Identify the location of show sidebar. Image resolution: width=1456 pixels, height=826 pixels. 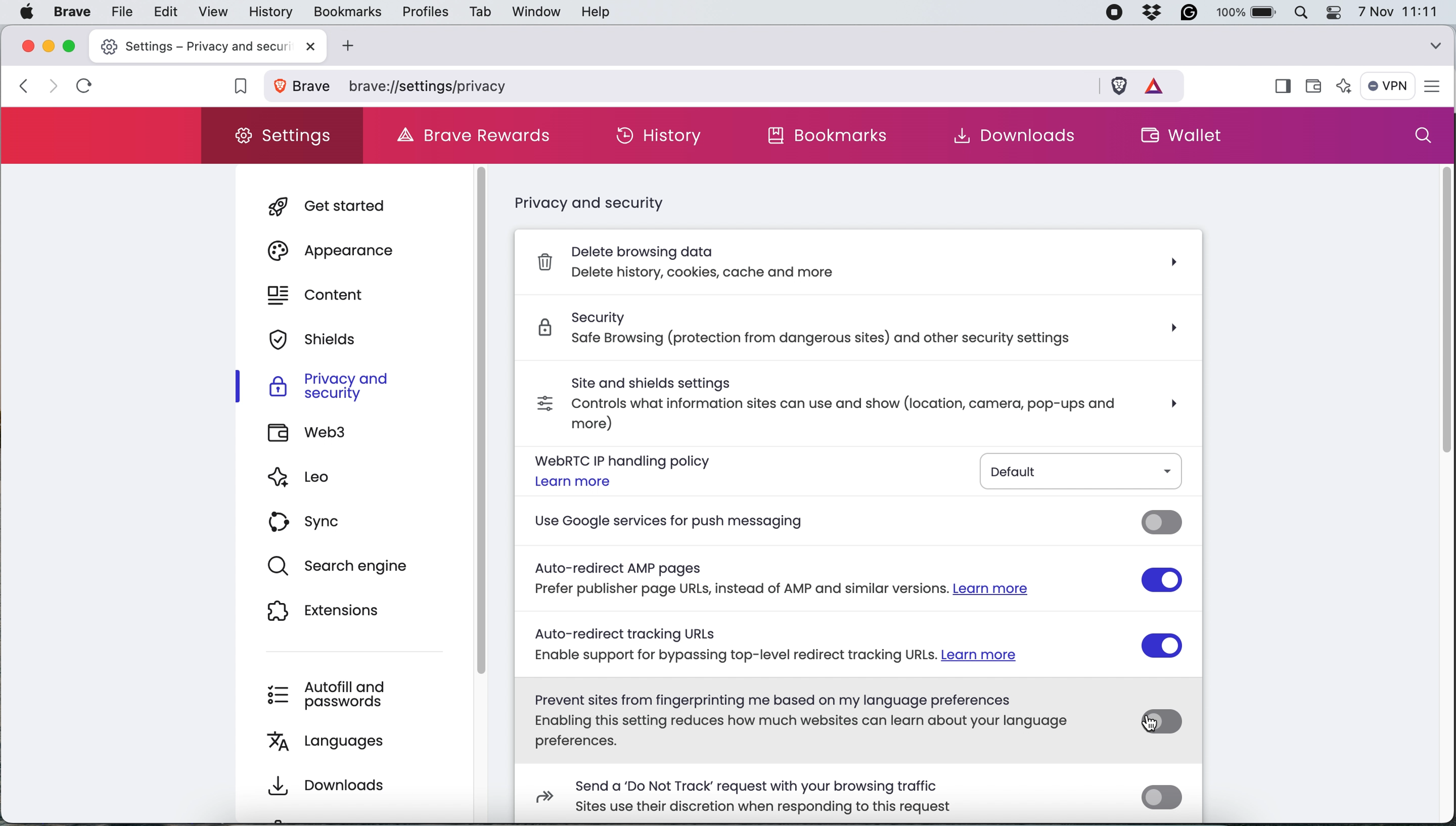
(1282, 87).